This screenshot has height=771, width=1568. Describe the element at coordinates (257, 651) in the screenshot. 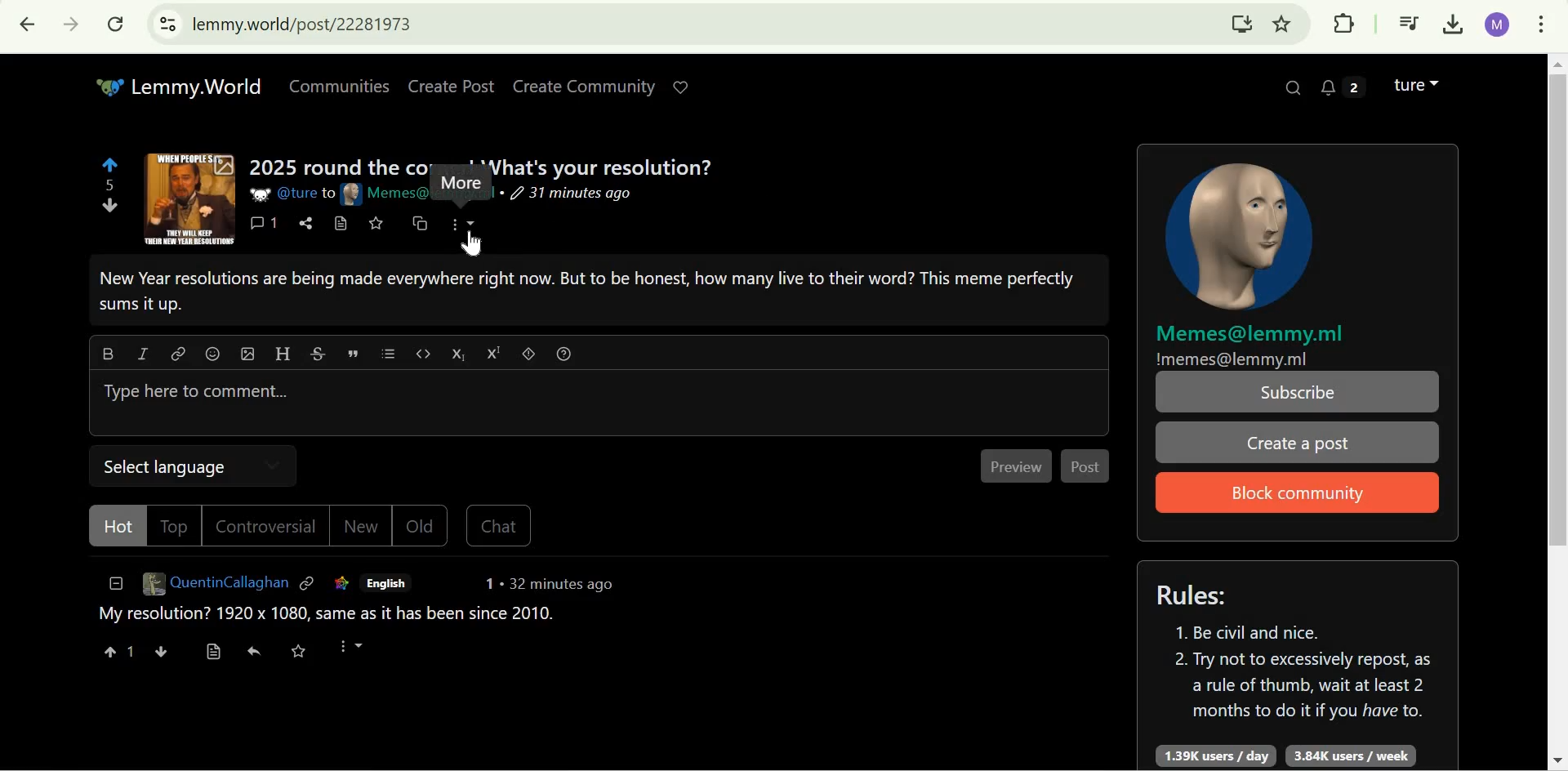

I see `reply` at that location.